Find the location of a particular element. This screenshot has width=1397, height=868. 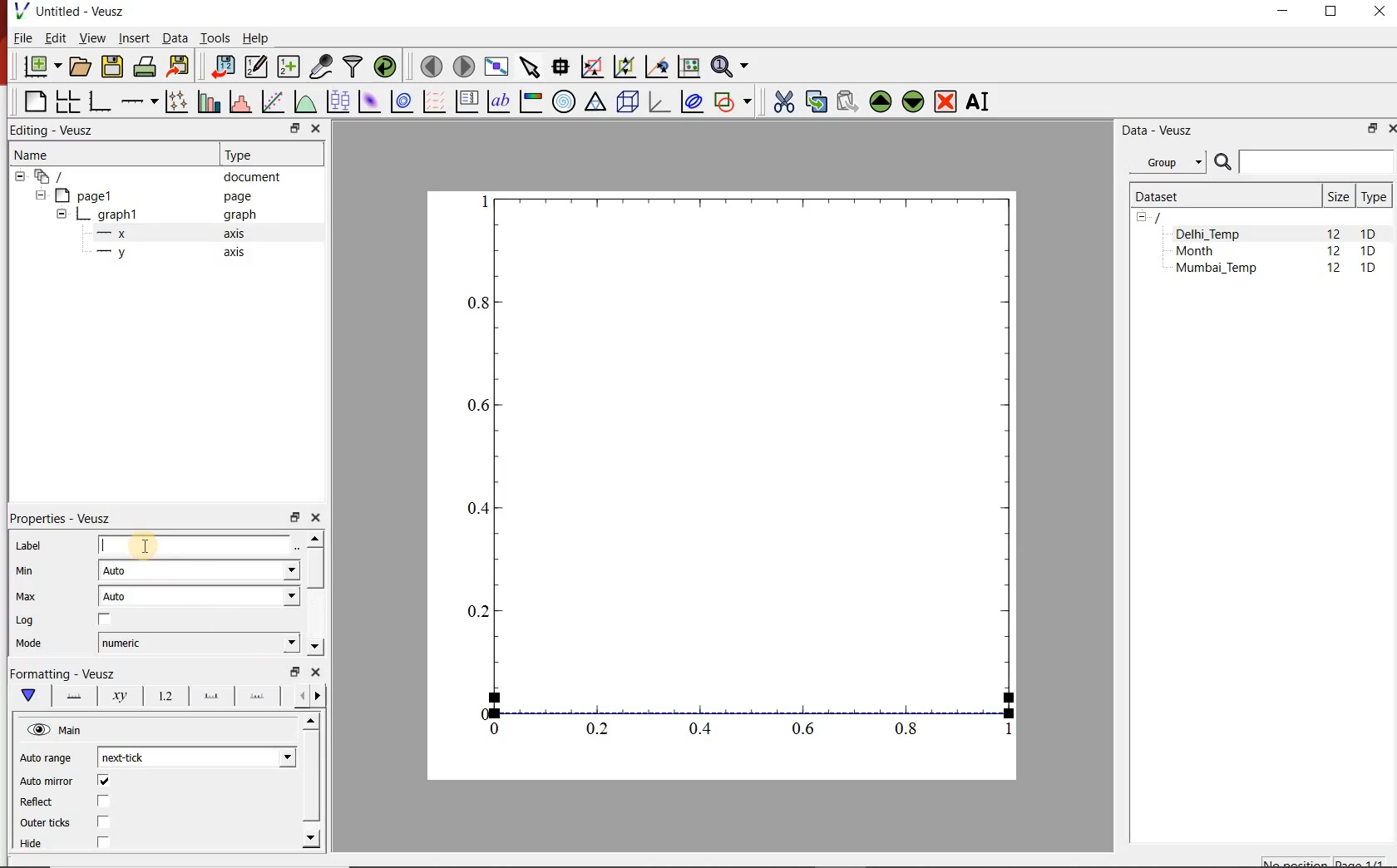

close is located at coordinates (315, 672).